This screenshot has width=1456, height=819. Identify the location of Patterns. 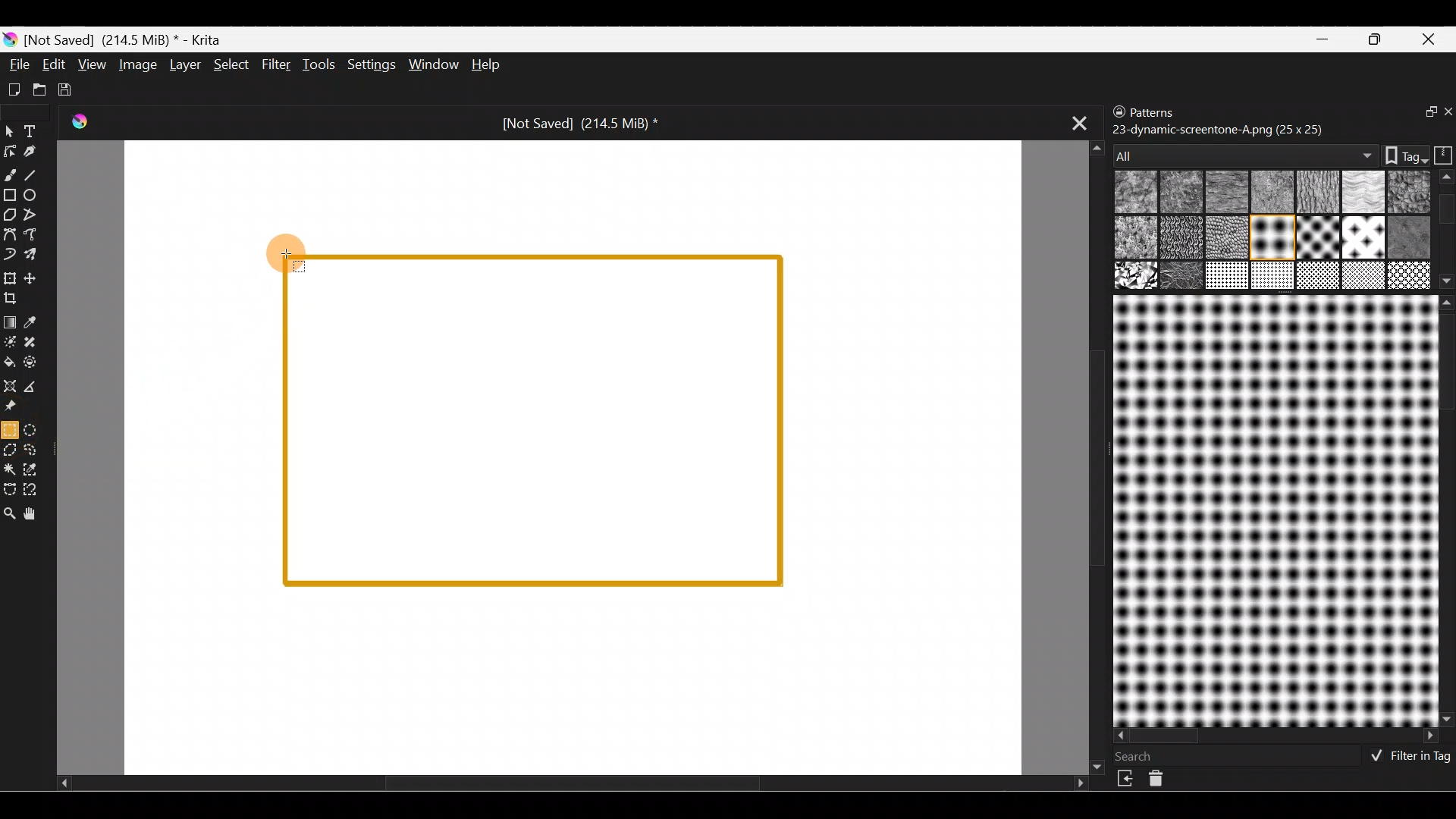
(1164, 109).